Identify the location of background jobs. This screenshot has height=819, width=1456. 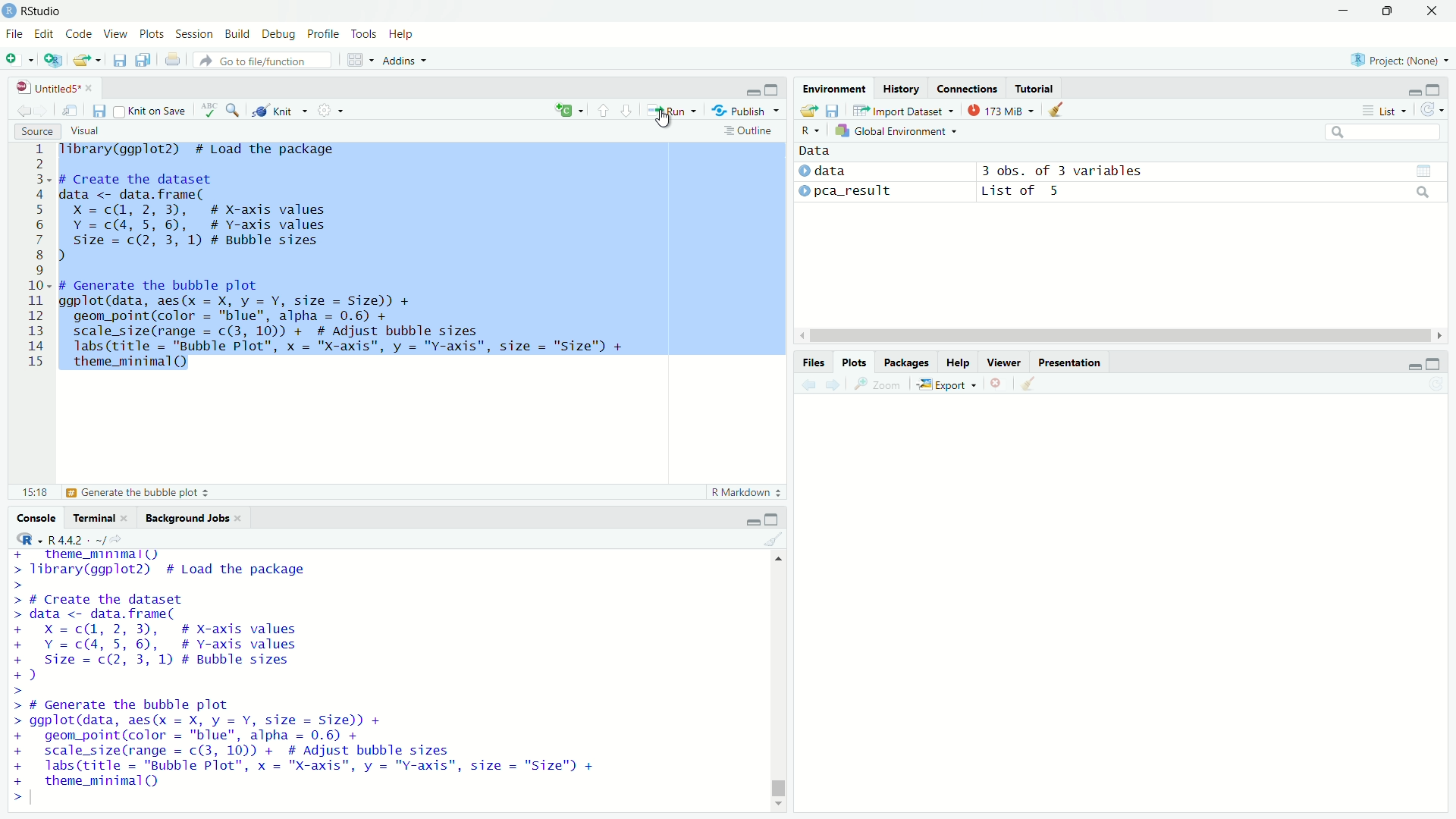
(194, 516).